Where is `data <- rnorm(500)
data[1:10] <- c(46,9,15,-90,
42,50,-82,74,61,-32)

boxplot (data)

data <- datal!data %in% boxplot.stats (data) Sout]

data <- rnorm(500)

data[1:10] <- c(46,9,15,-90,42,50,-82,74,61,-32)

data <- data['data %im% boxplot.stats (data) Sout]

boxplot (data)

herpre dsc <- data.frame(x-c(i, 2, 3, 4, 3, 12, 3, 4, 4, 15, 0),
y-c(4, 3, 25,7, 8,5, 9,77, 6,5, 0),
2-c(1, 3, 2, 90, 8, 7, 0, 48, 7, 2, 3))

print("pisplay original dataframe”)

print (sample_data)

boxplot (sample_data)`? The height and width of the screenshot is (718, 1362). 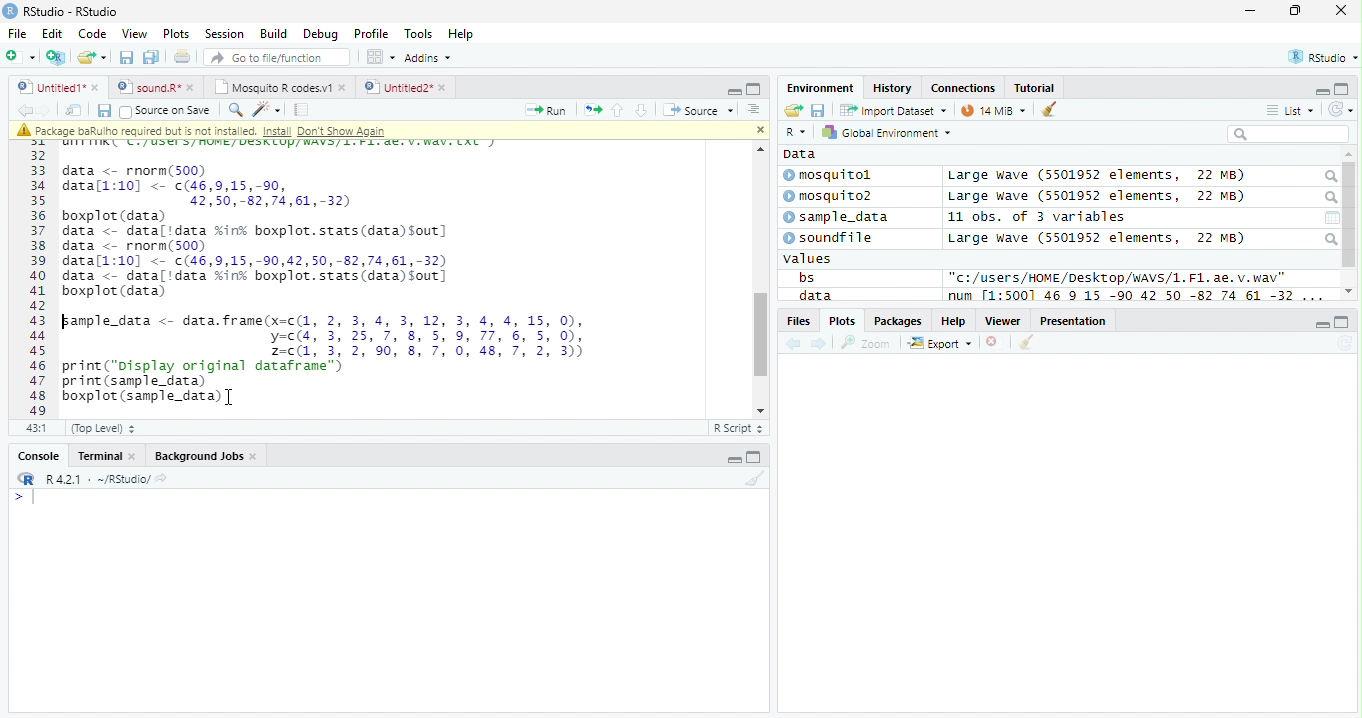
data <- rnorm(500)
data[1:10] <- c(46,9,15,-90,
42,50,-82,74,61,-32)

boxplot (data)

data <- datal!data %in% boxplot.stats (data) Sout]

data <- rnorm(500)

data[1:10] <- c(46,9,15,-90,42,50,-82,74,61,-32)

data <- data['data %im% boxplot.stats (data) Sout]

boxplot (data)

herpre dsc <- data.frame(x-c(i, 2, 3, 4, 3, 12, 3, 4, 4, 15, 0),
y-c(4, 3, 25,7, 8,5, 9,77, 6,5, 0),
2-c(1, 3, 2, 90, 8, 7, 0, 48, 7, 2, 3))

print("pisplay original dataframe”)

print (sample_data)

boxplot (sample_data) is located at coordinates (325, 283).